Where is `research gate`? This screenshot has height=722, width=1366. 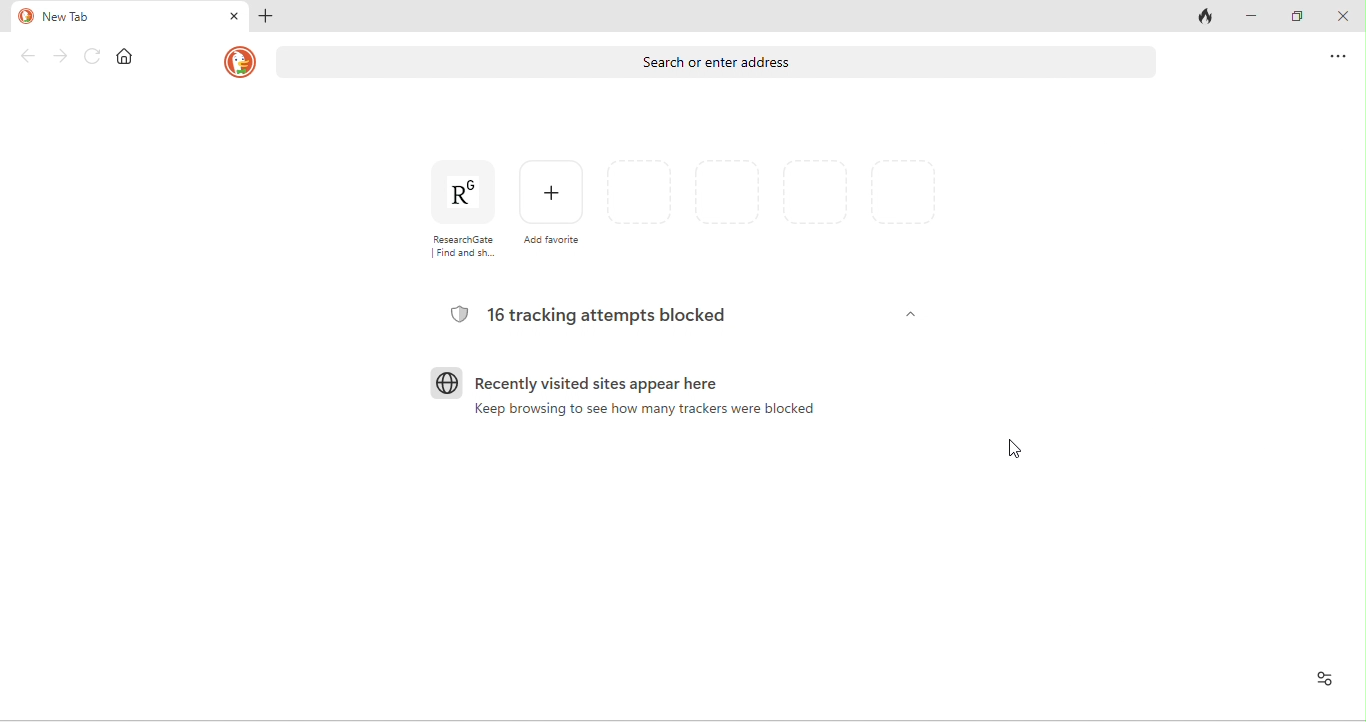 research gate is located at coordinates (457, 209).